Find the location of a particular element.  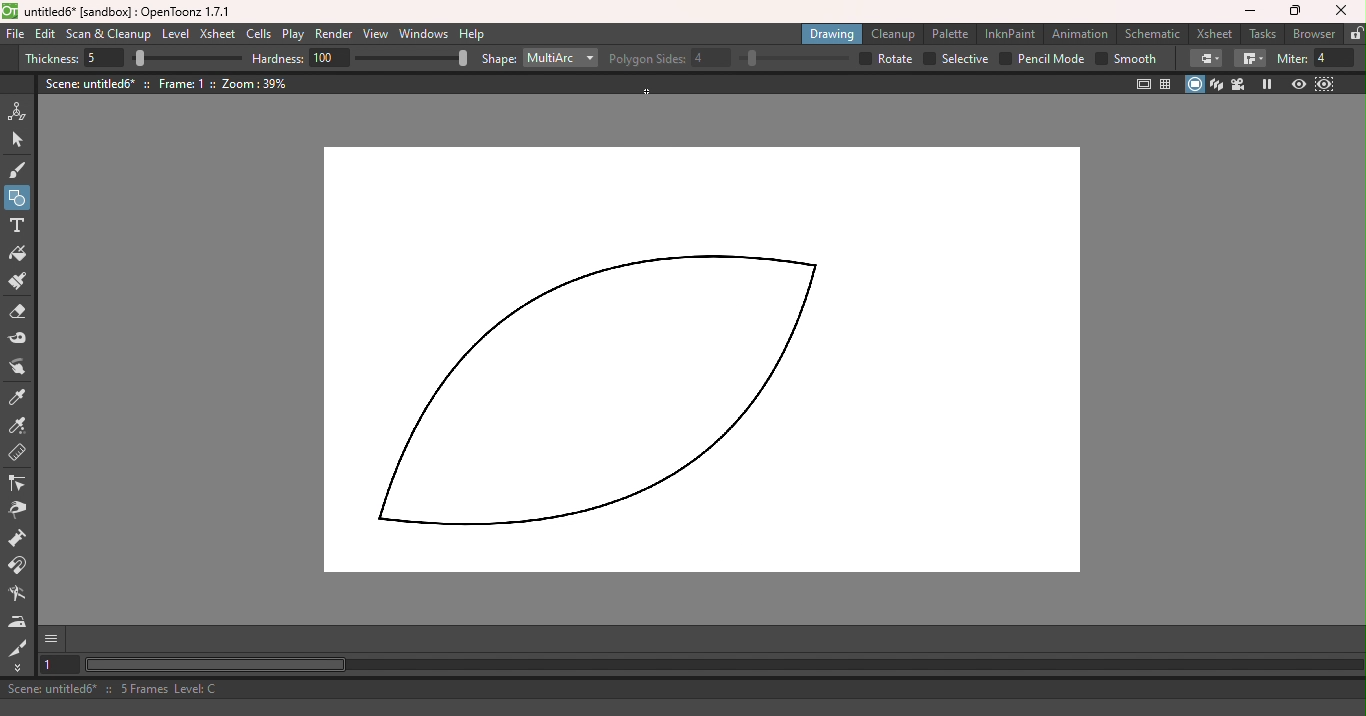

3D view is located at coordinates (1217, 84).